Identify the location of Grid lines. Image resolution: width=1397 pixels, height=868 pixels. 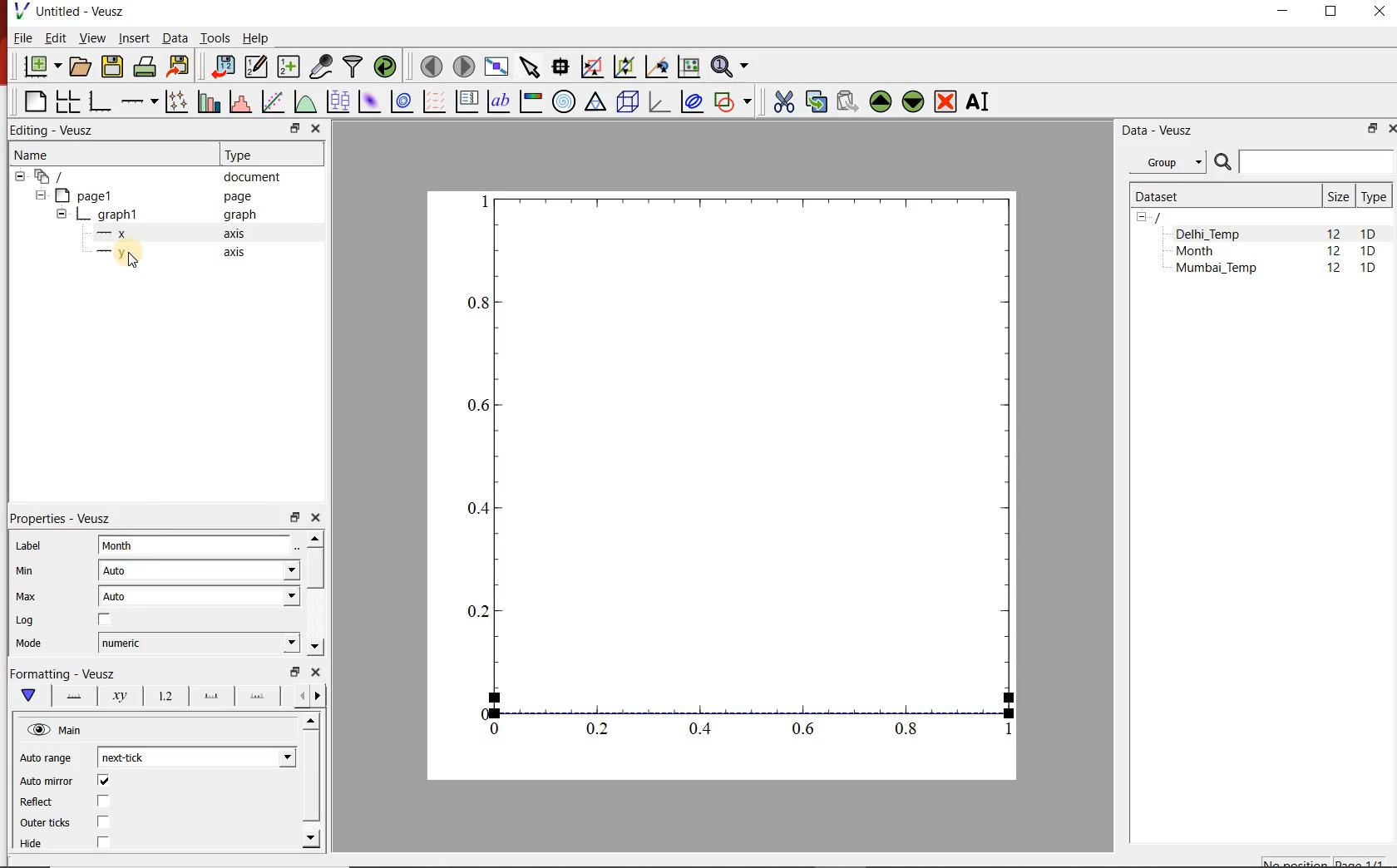
(310, 698).